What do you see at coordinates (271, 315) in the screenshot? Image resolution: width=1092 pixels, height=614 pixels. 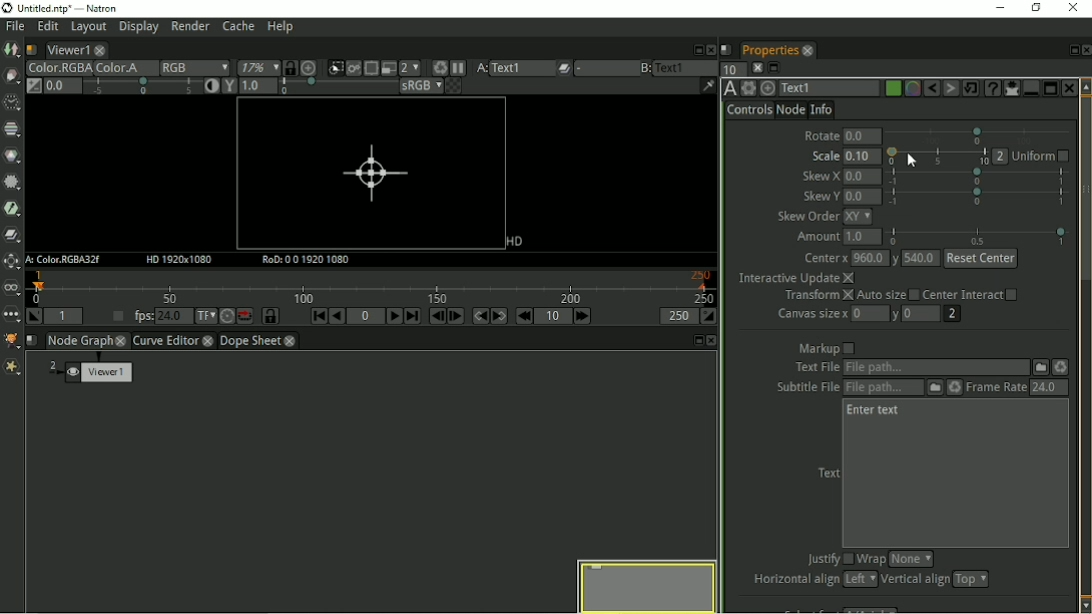 I see `Synchronize` at bounding box center [271, 315].